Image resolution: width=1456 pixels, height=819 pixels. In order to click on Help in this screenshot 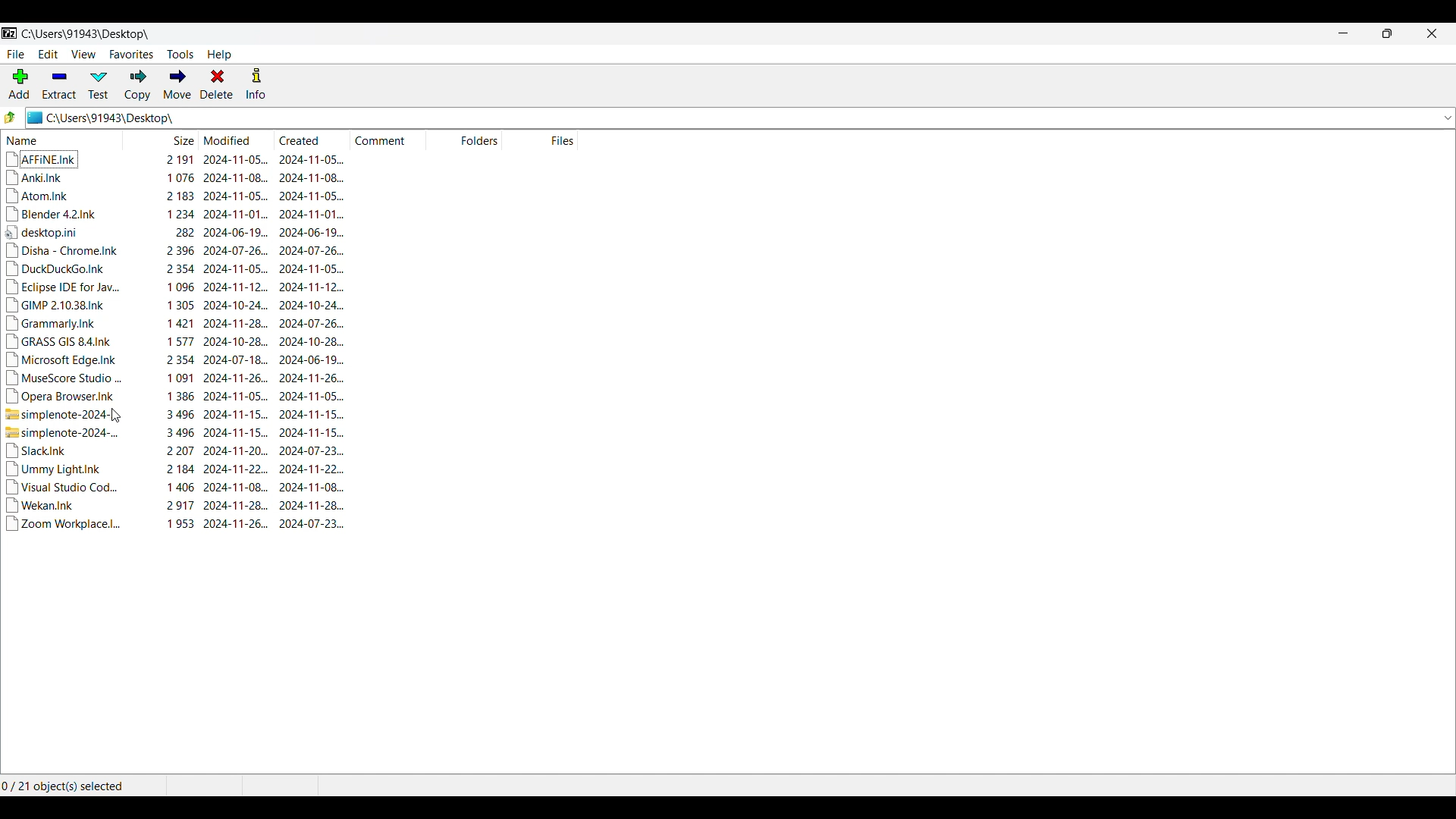, I will do `click(219, 55)`.